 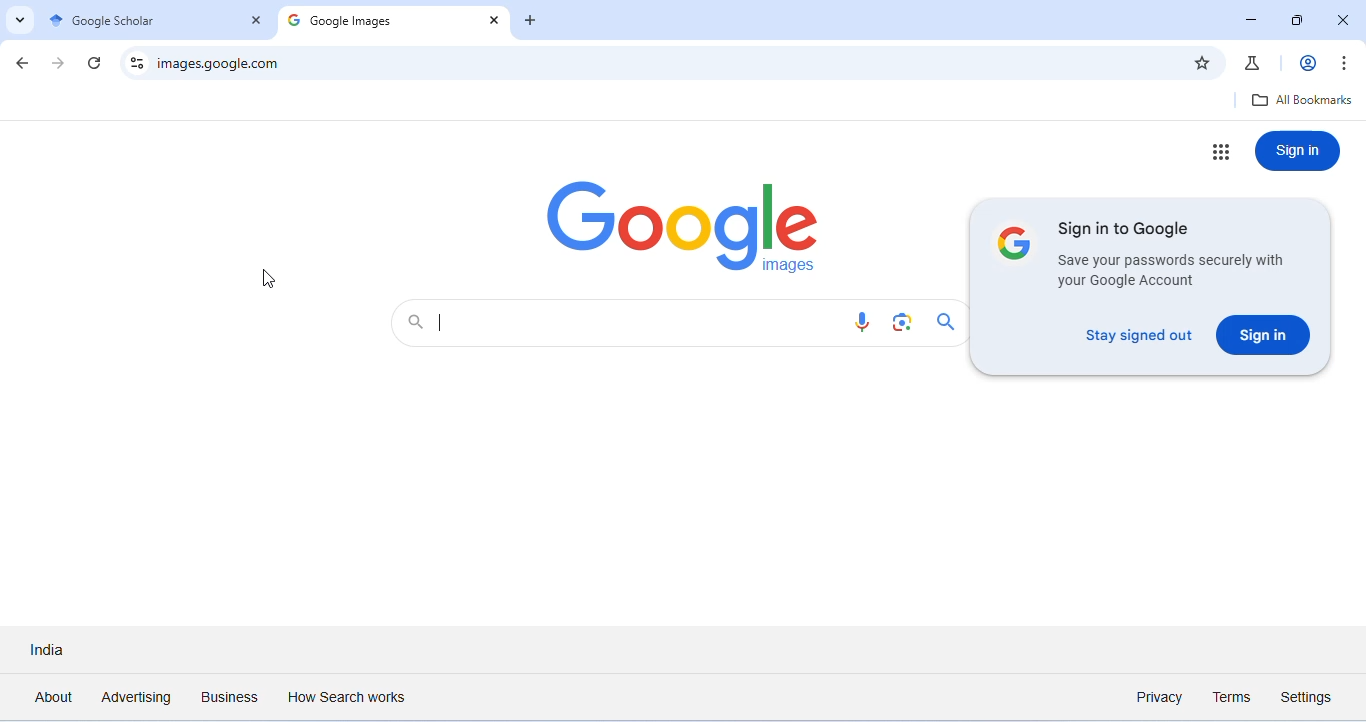 What do you see at coordinates (865, 322) in the screenshot?
I see `voice search` at bounding box center [865, 322].